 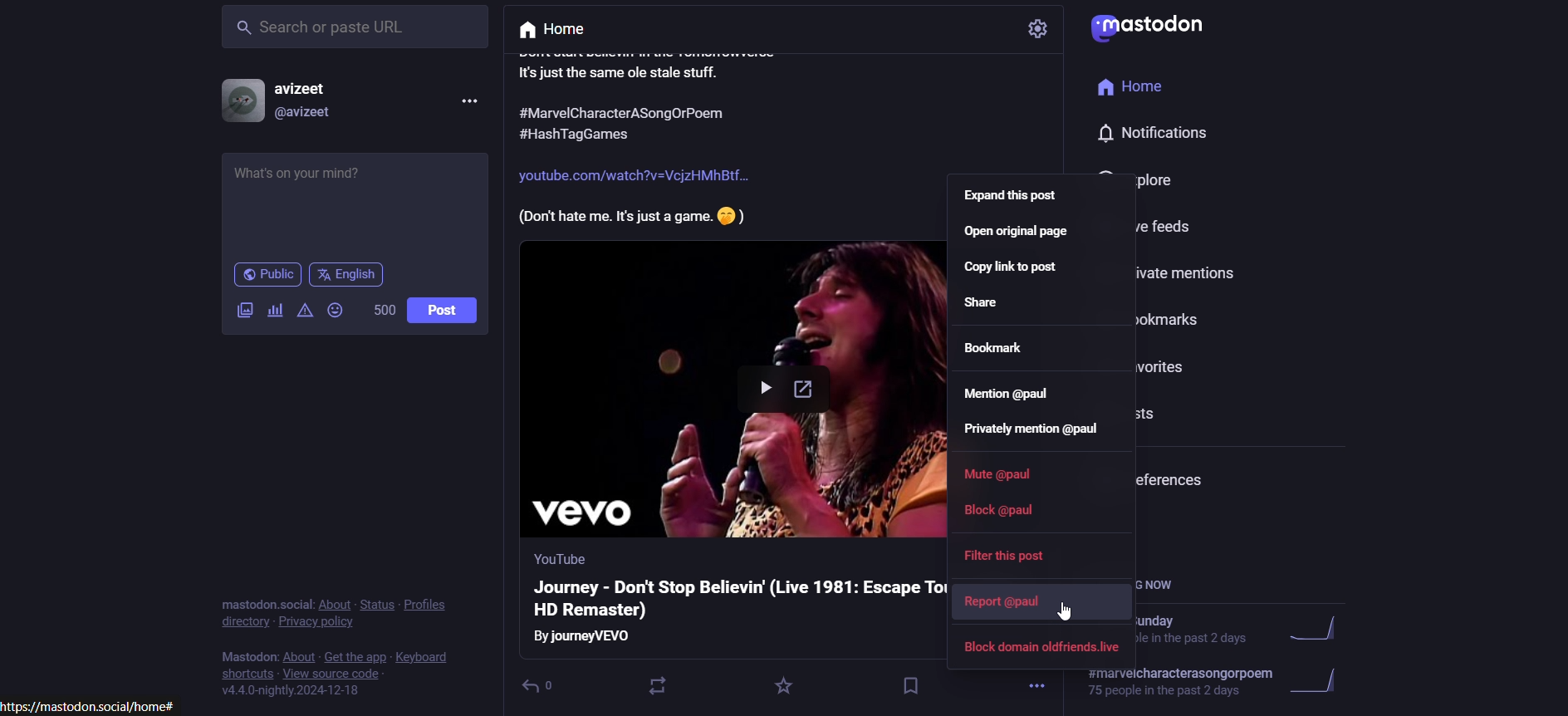 I want to click on about, so click(x=331, y=606).